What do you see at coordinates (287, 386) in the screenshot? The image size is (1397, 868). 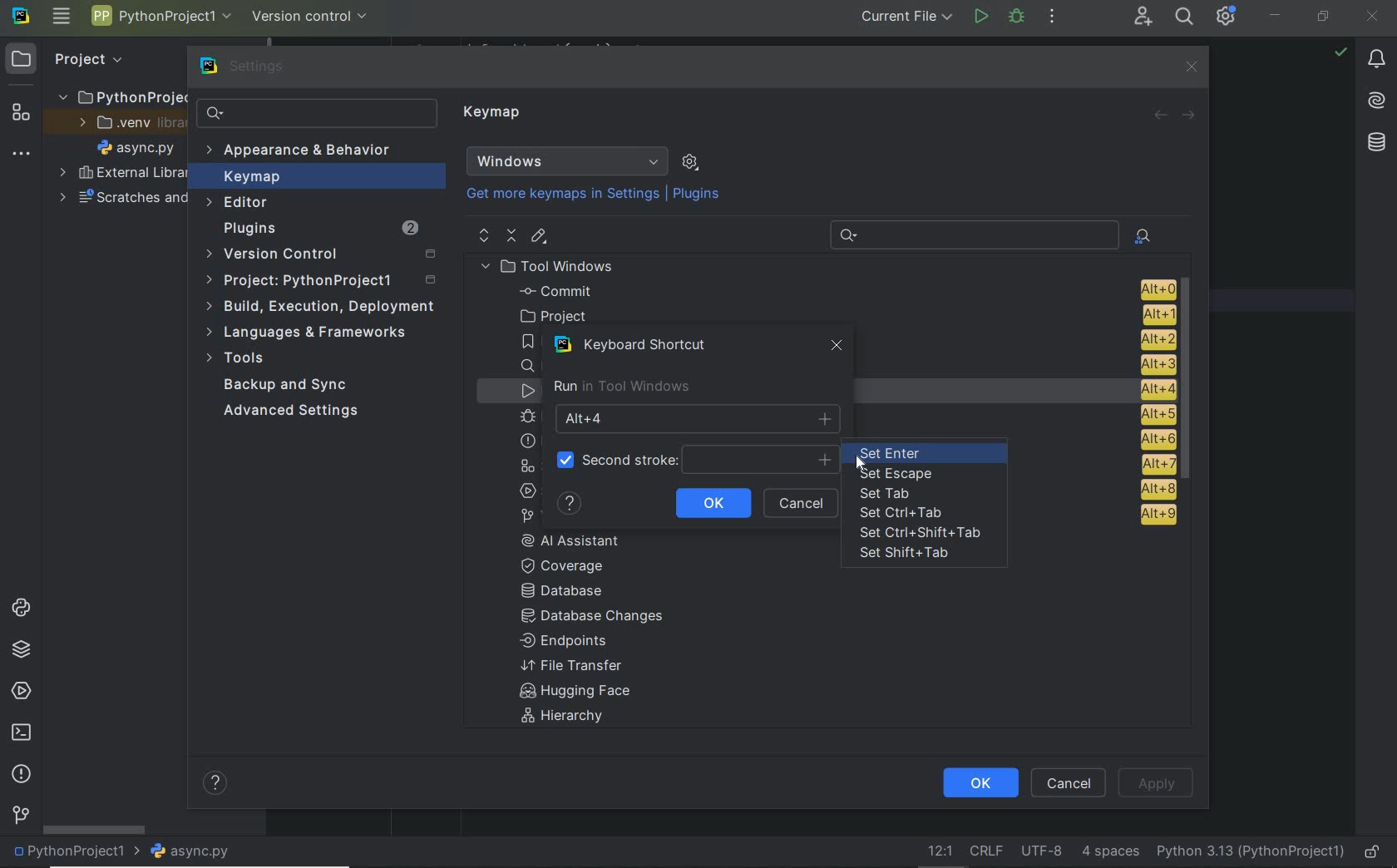 I see `Backup and Sync` at bounding box center [287, 386].